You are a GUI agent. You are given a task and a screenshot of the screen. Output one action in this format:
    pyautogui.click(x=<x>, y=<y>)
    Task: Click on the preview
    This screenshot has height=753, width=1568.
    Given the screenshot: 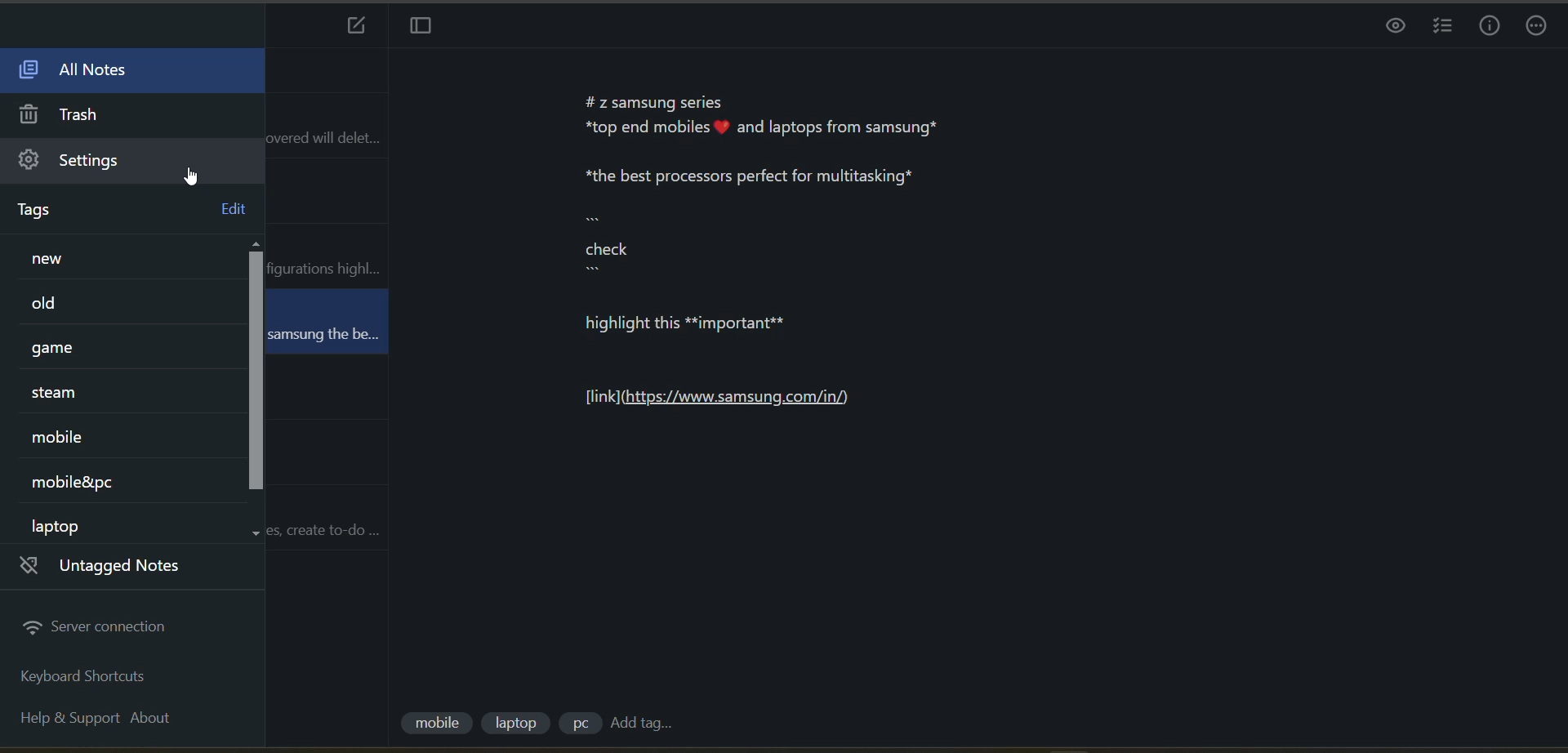 What is the action you would take?
    pyautogui.click(x=1391, y=29)
    